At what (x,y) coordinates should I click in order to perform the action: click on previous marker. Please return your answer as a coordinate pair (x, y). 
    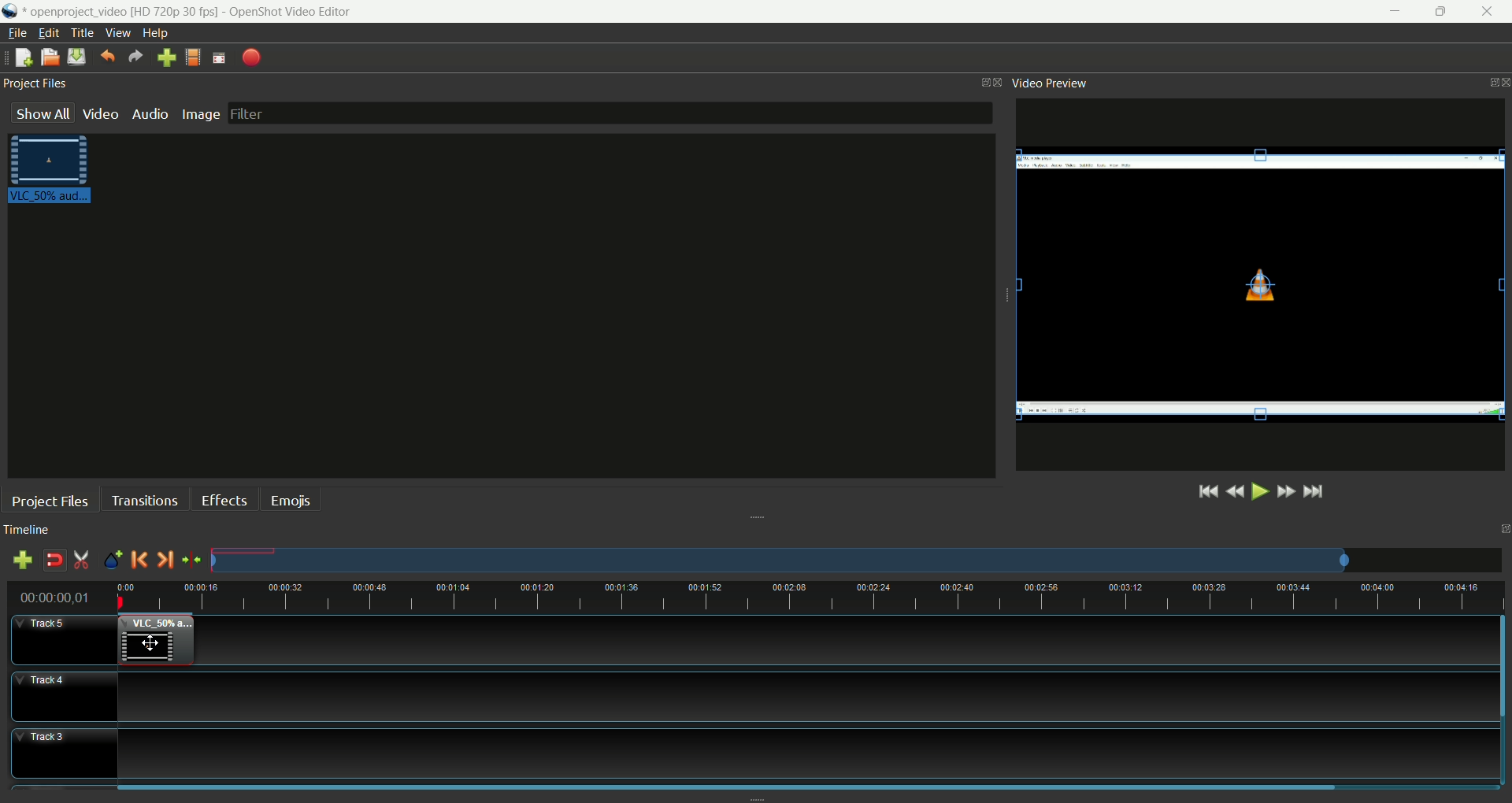
    Looking at the image, I should click on (141, 560).